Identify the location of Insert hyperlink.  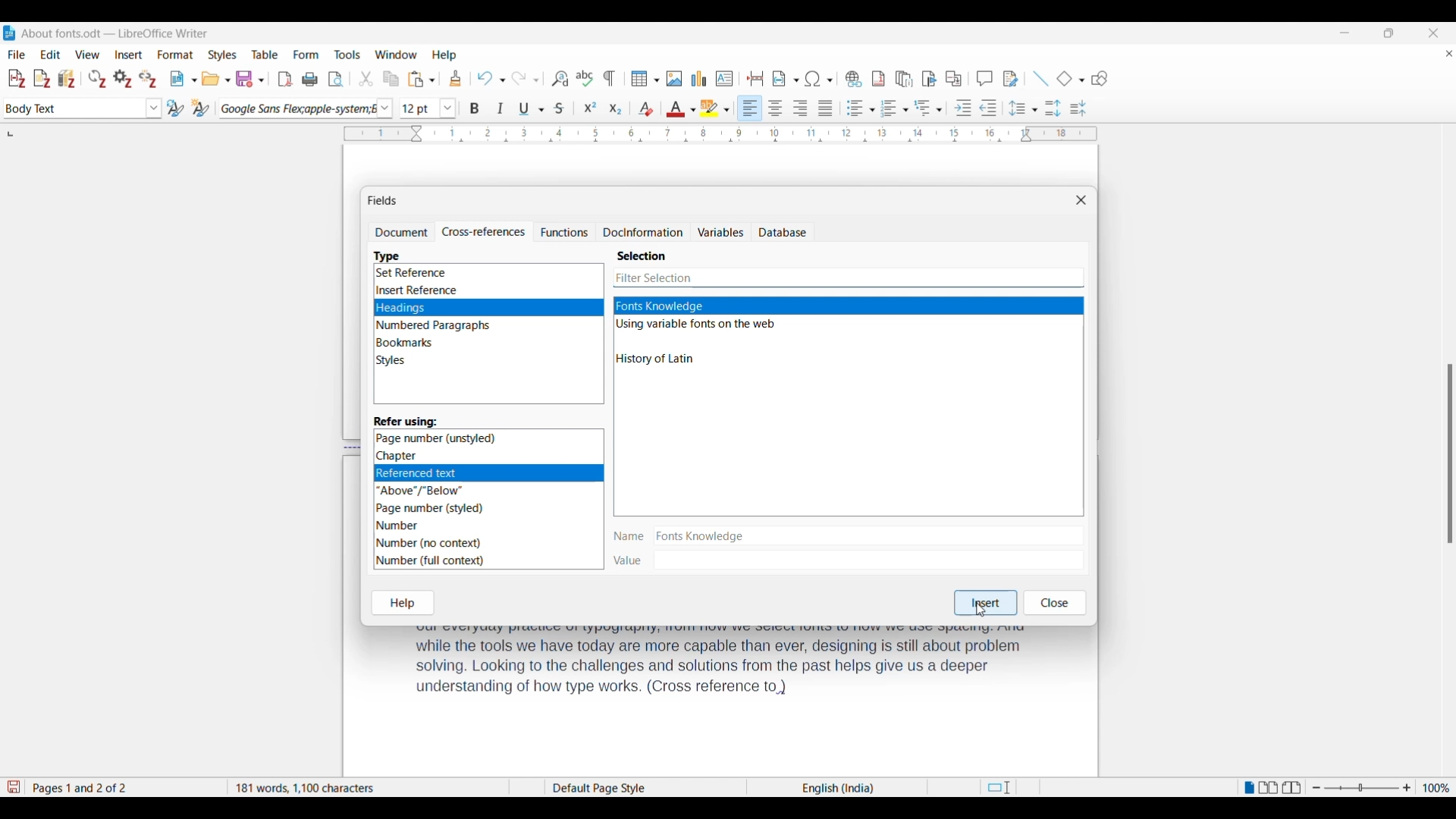
(853, 79).